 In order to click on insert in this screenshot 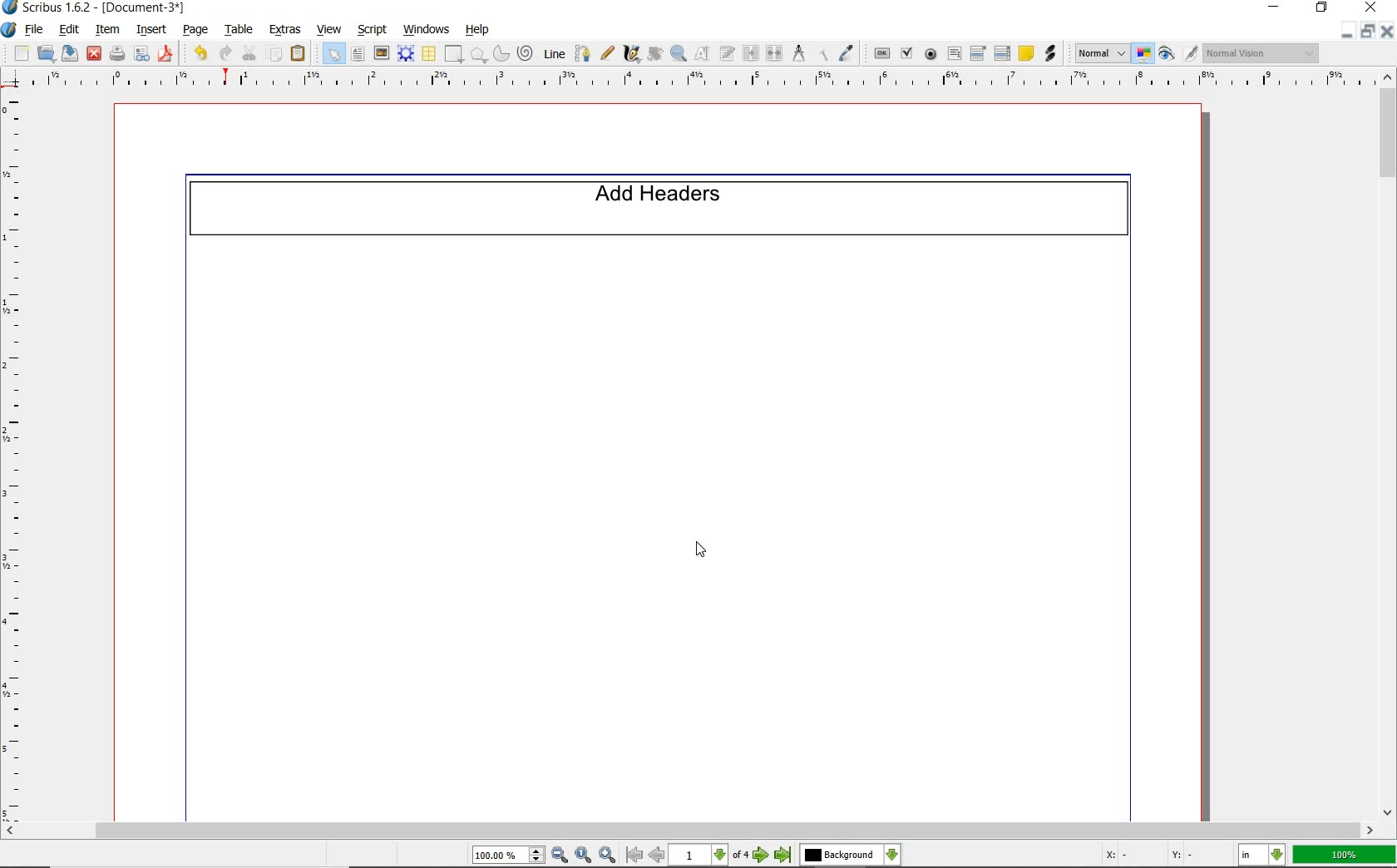, I will do `click(151, 31)`.